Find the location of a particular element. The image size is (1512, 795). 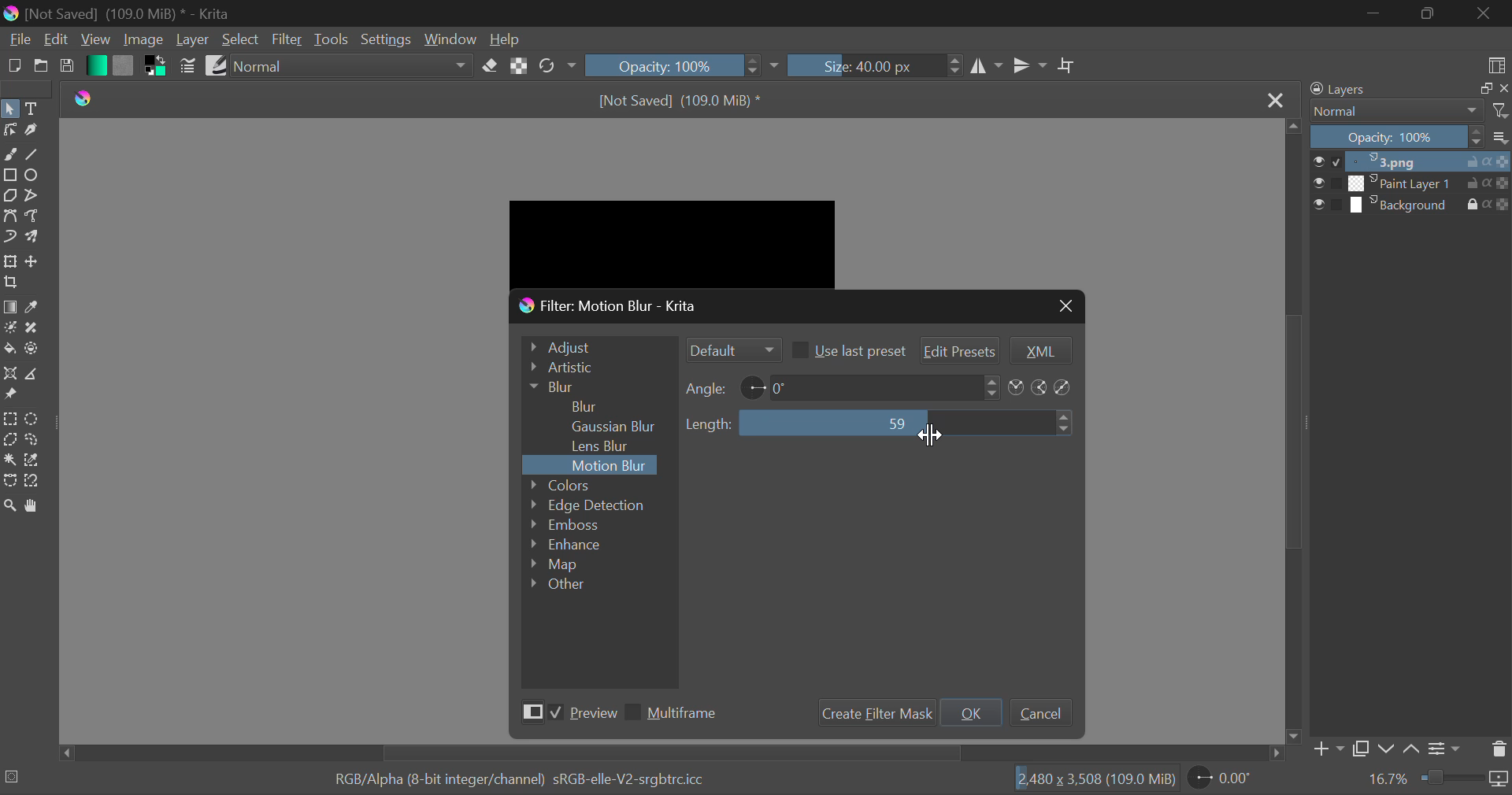

Map is located at coordinates (563, 566).